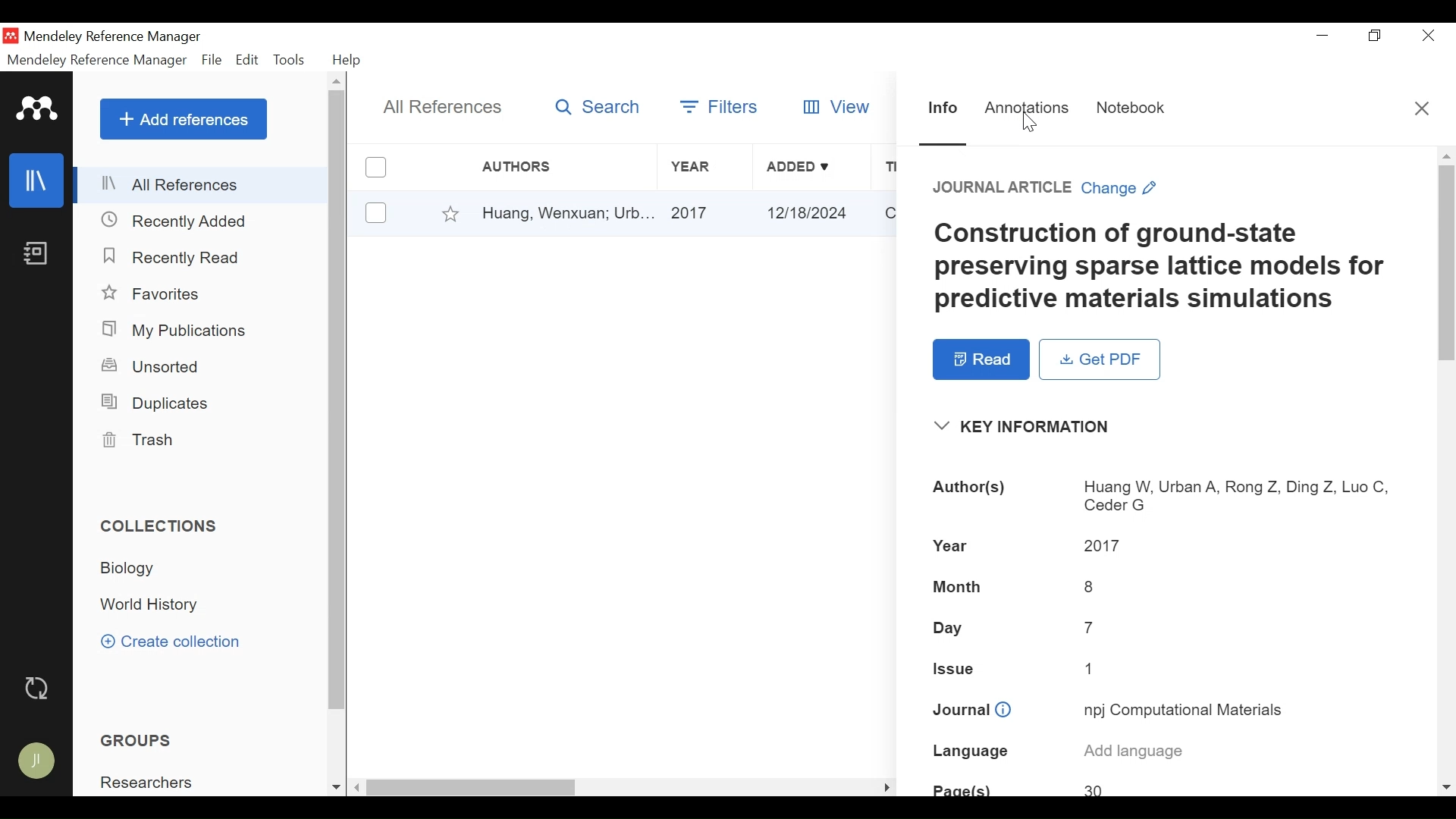 Image resolution: width=1456 pixels, height=819 pixels. What do you see at coordinates (953, 627) in the screenshot?
I see `Day` at bounding box center [953, 627].